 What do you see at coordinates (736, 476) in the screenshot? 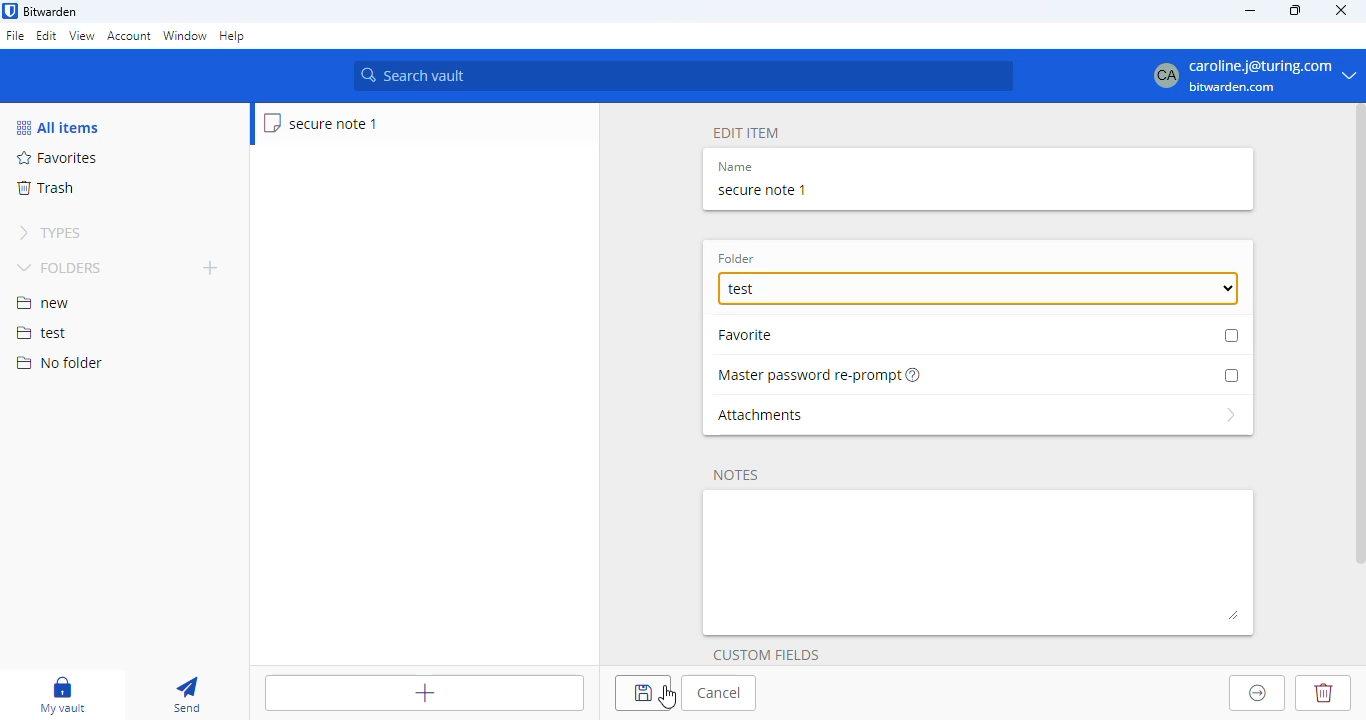
I see `notes` at bounding box center [736, 476].